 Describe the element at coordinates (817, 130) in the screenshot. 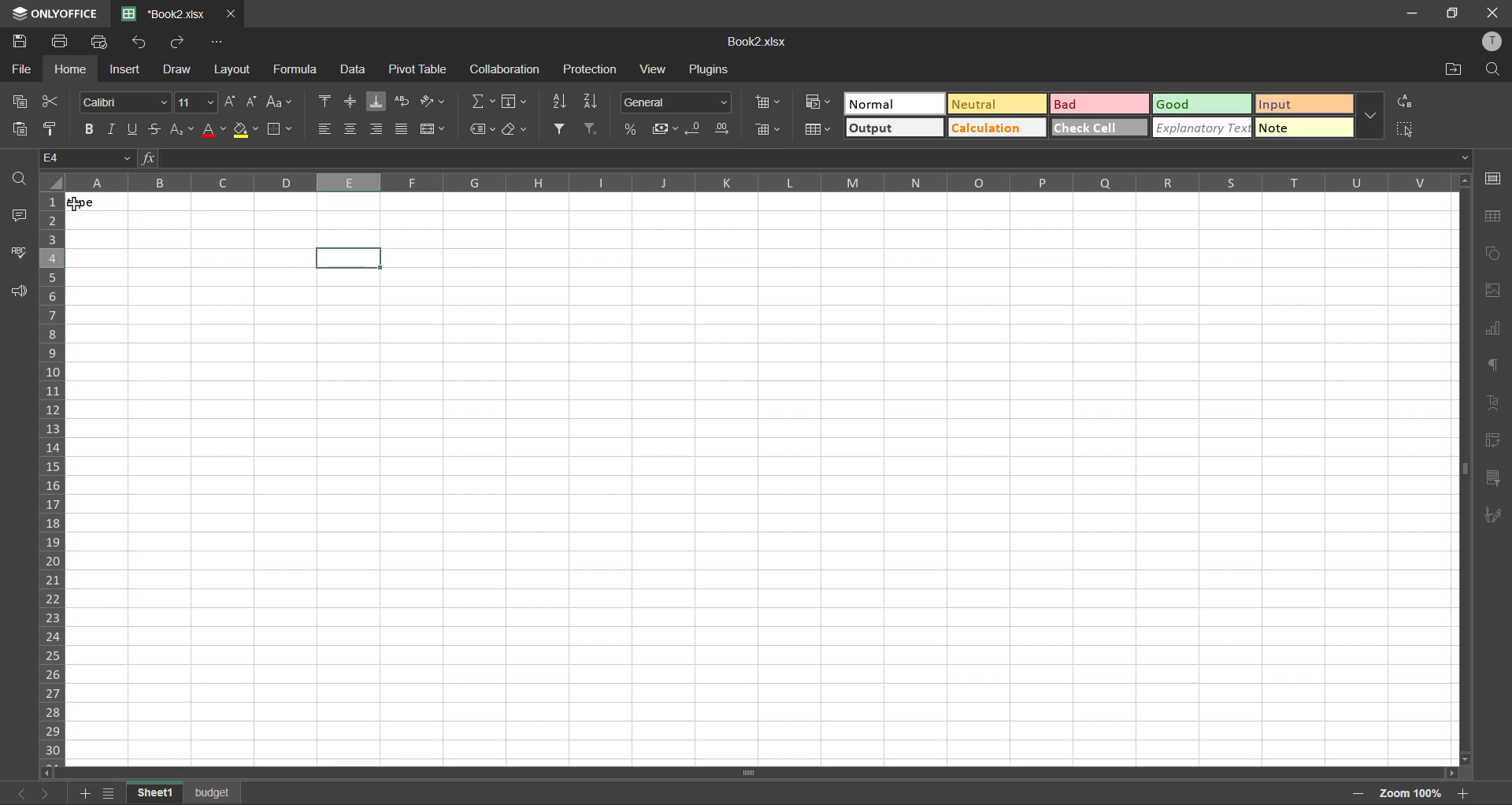

I see `format as table` at that location.